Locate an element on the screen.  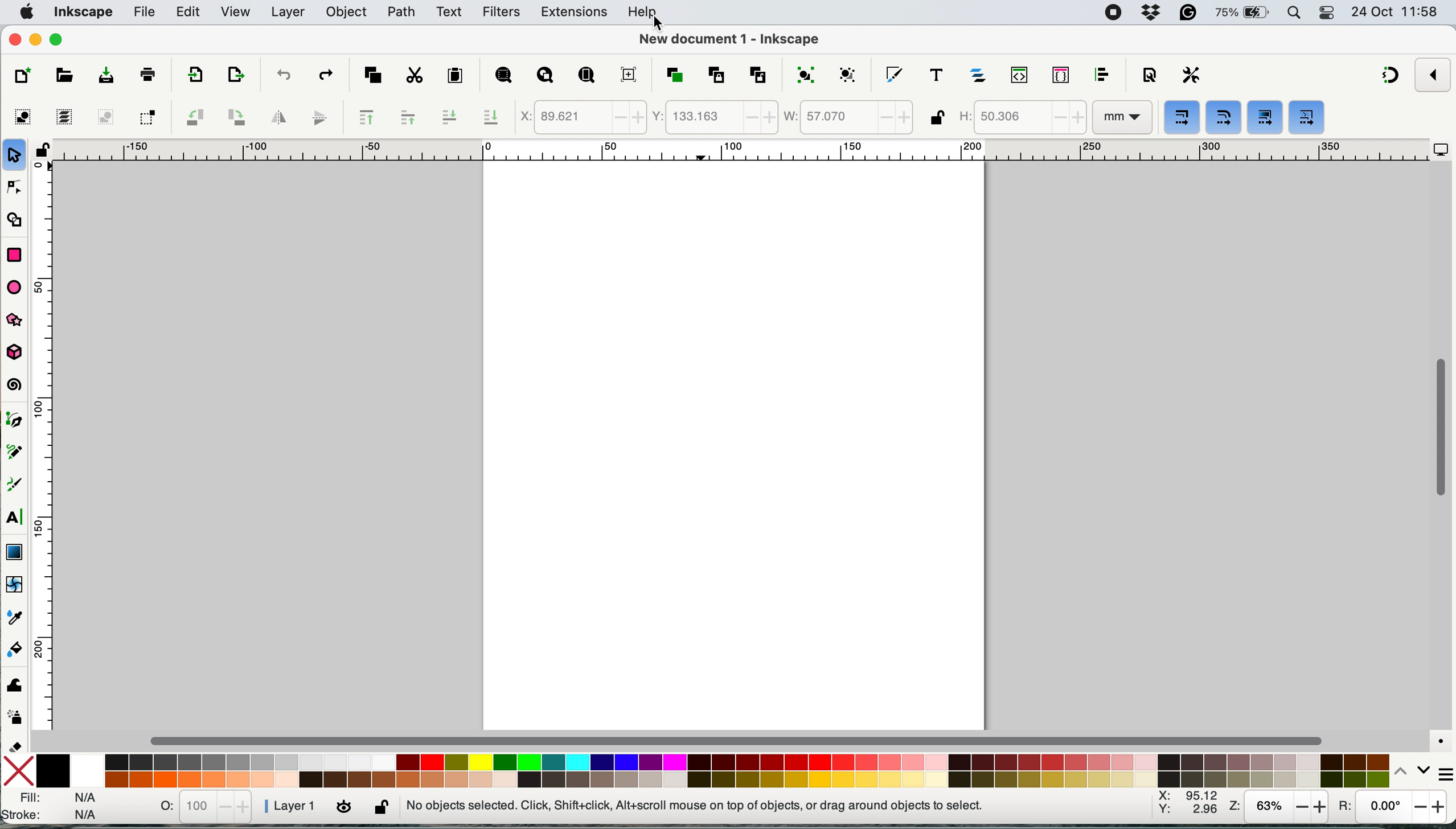
spray tool is located at coordinates (15, 717).